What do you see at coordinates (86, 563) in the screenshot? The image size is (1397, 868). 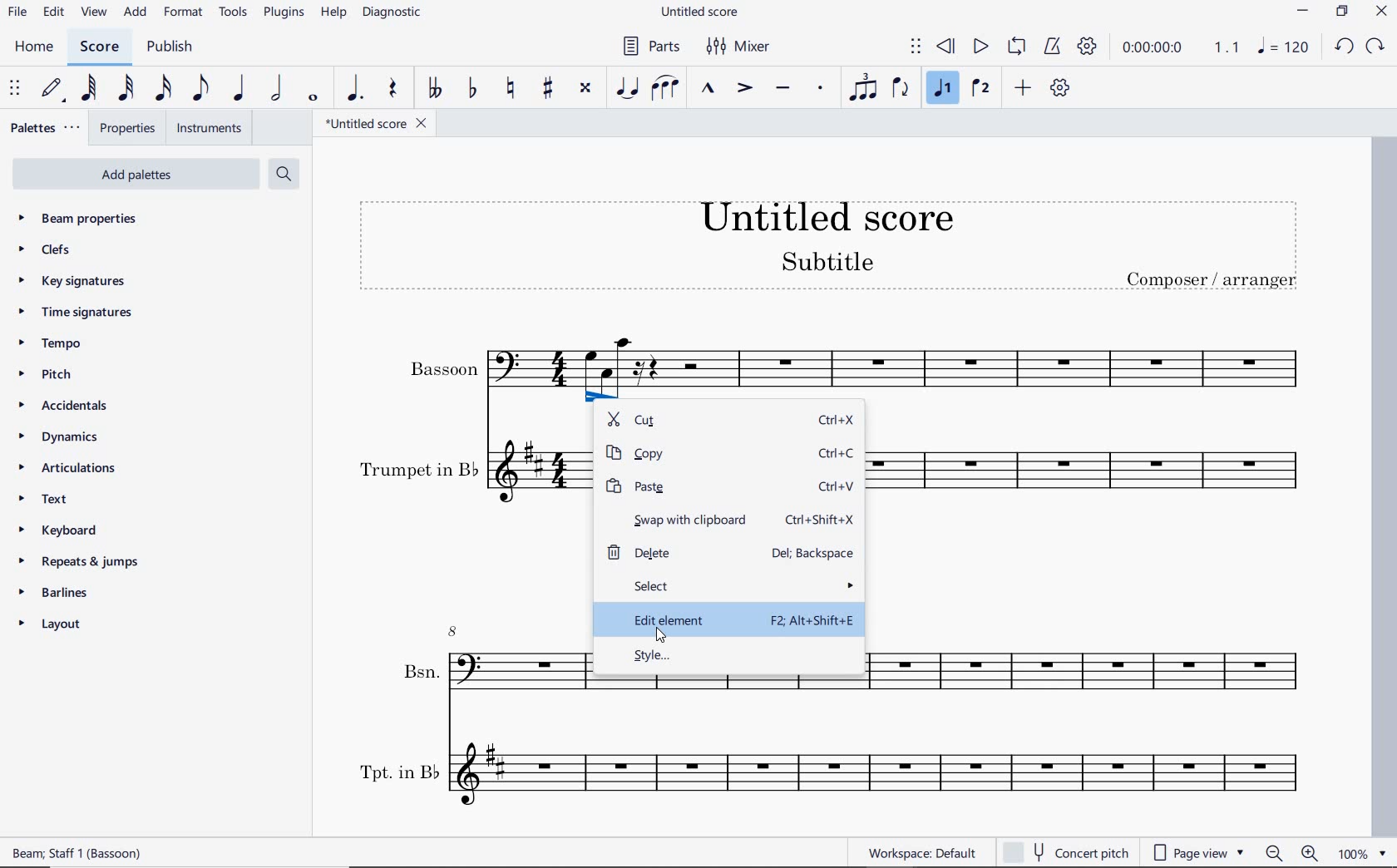 I see `repeats & jumps` at bounding box center [86, 563].